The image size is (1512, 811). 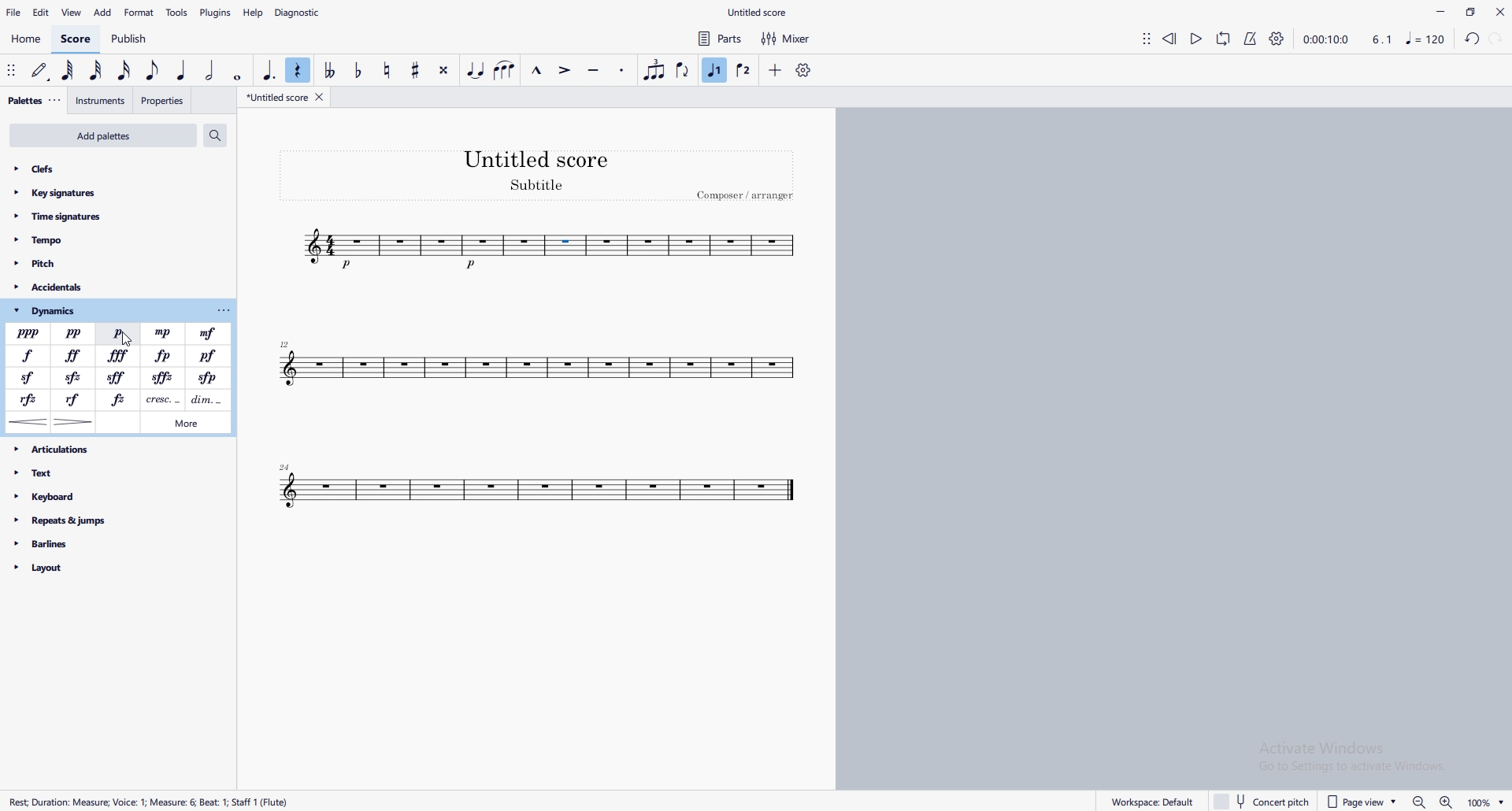 I want to click on quarter note, so click(x=183, y=71).